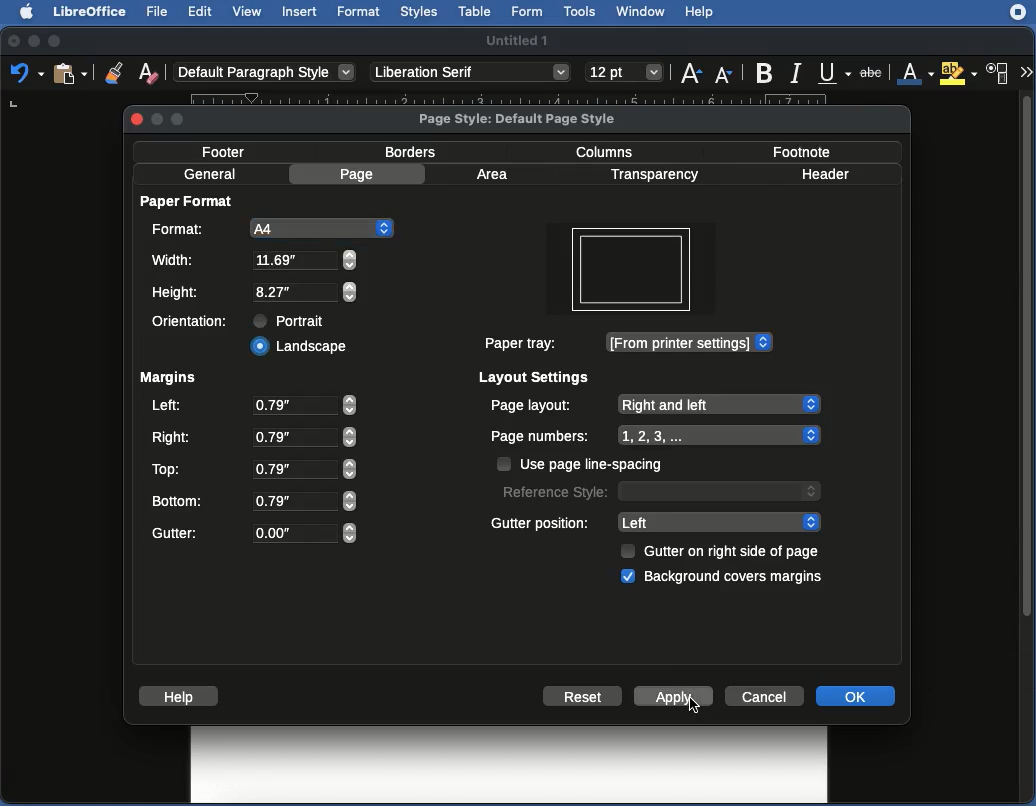  Describe the element at coordinates (871, 70) in the screenshot. I see `strikethrough` at that location.